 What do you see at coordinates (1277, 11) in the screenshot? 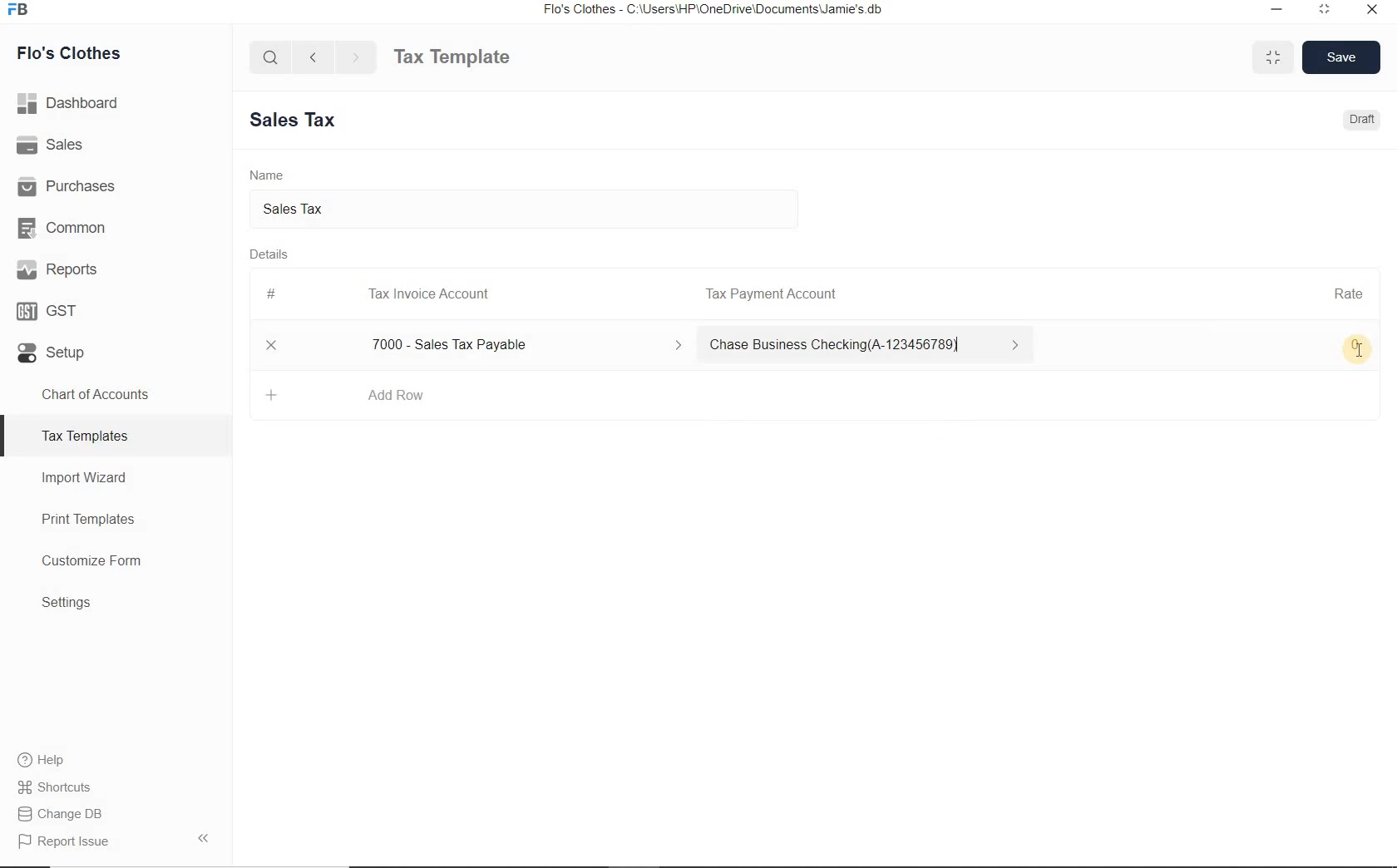
I see `Minimize` at bounding box center [1277, 11].